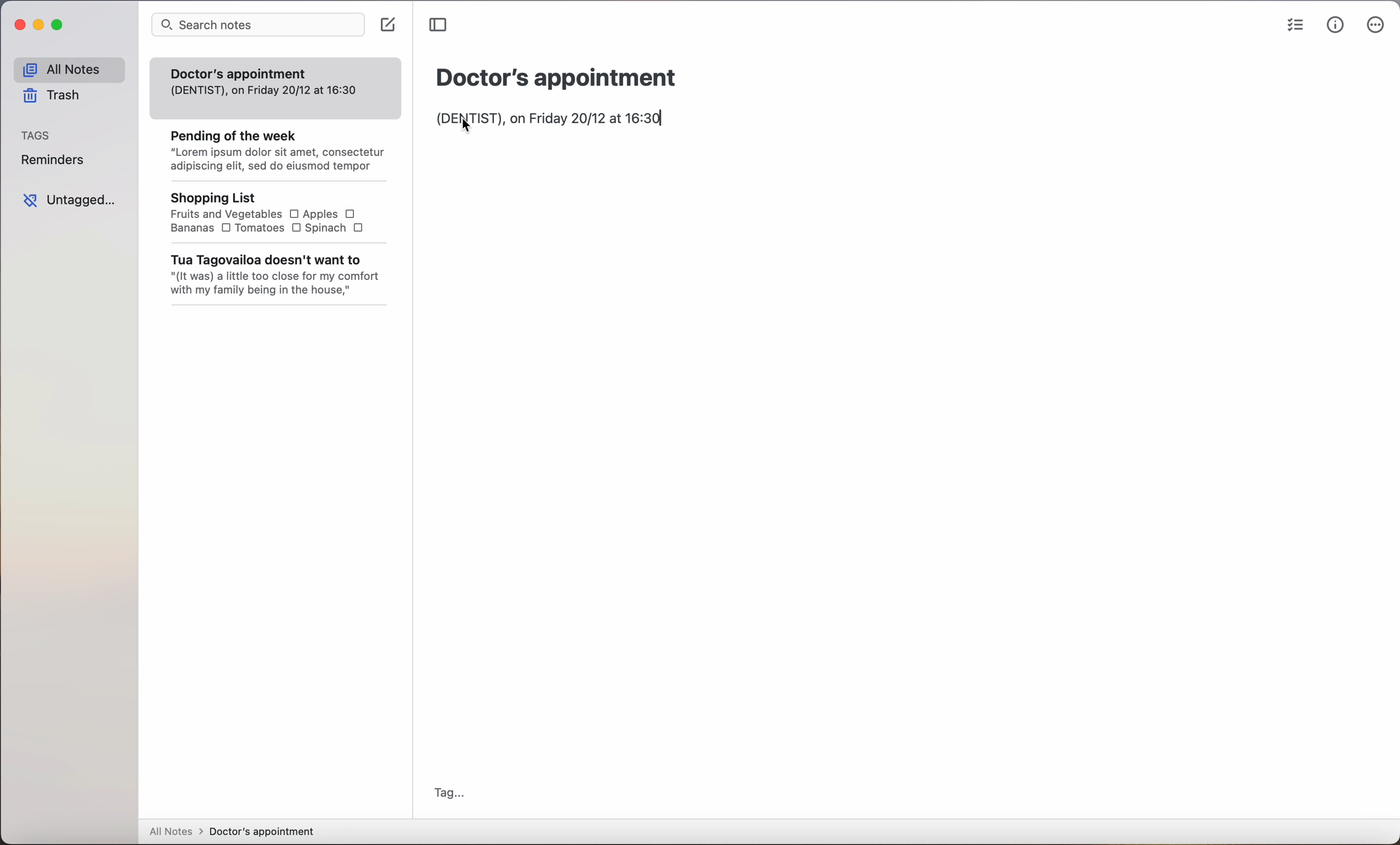  I want to click on more options, so click(1374, 28).